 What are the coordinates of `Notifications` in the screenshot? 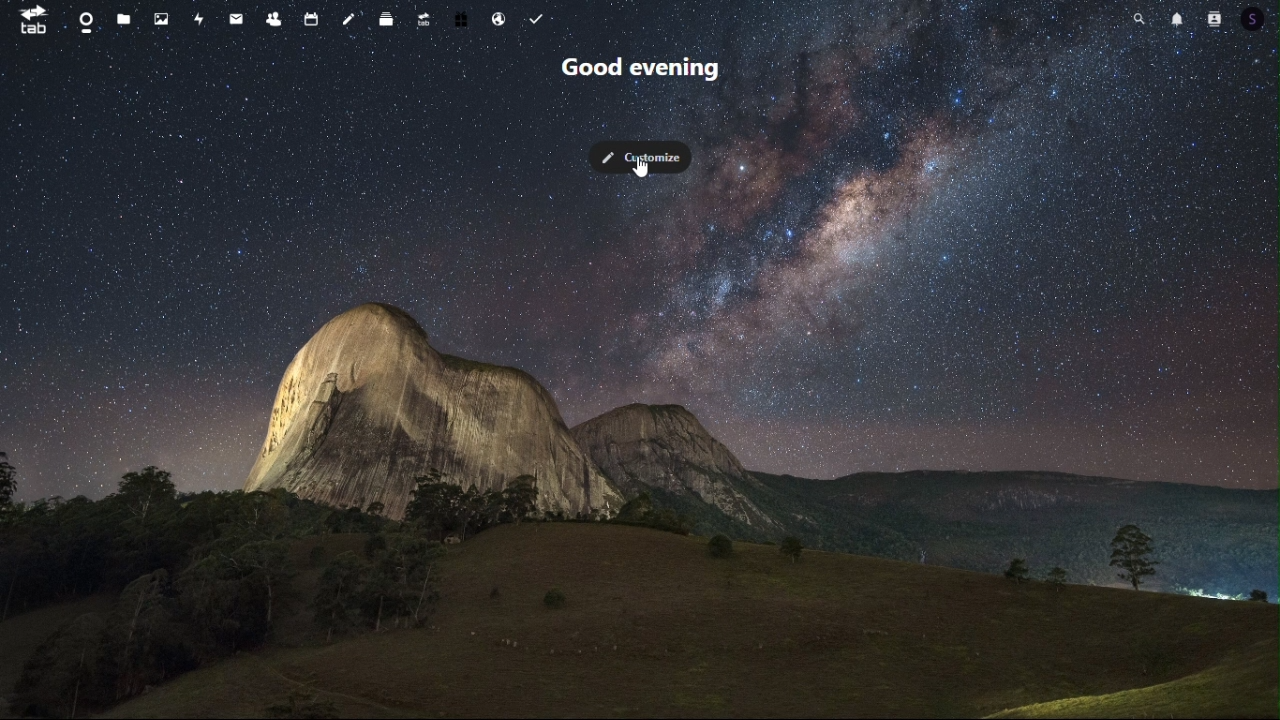 It's located at (1175, 17).